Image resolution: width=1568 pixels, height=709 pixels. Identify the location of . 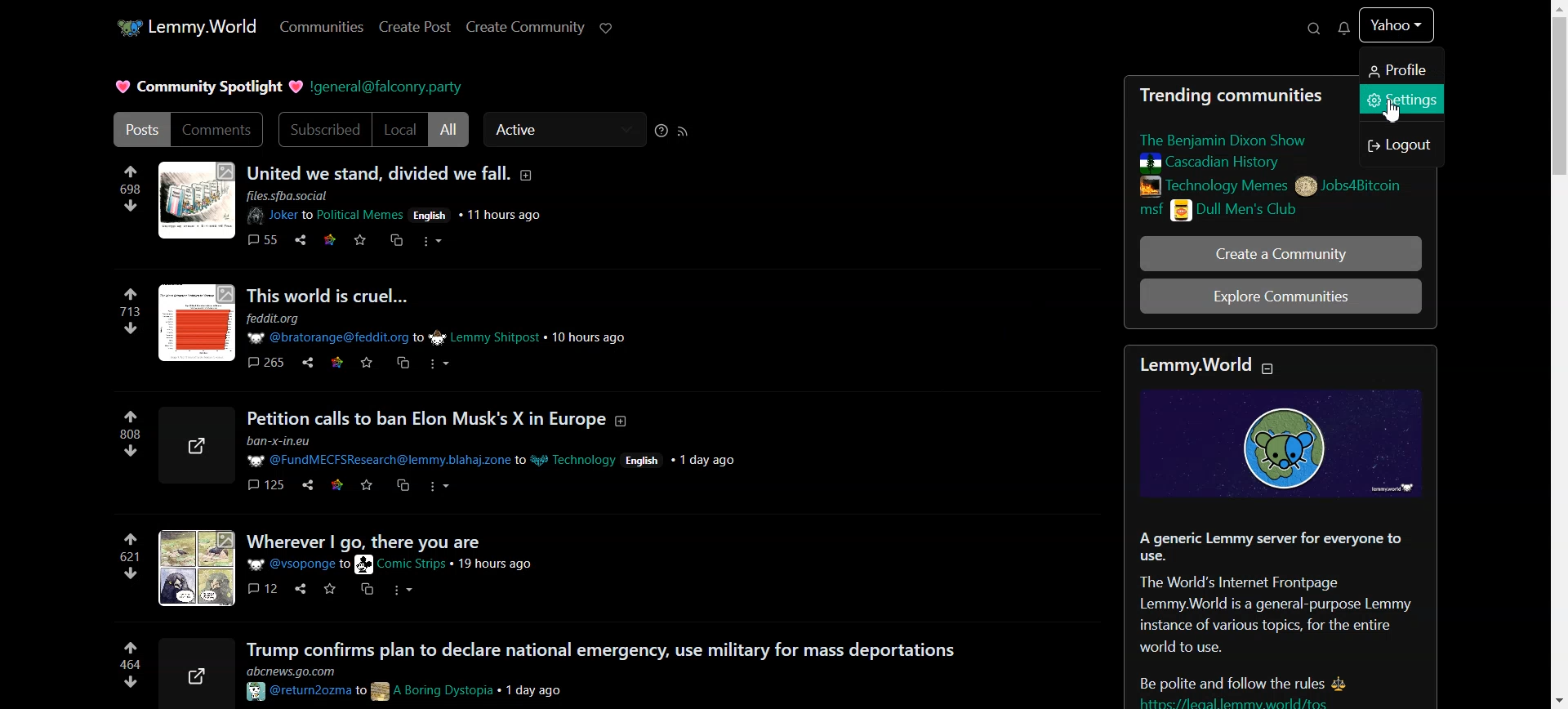
(307, 489).